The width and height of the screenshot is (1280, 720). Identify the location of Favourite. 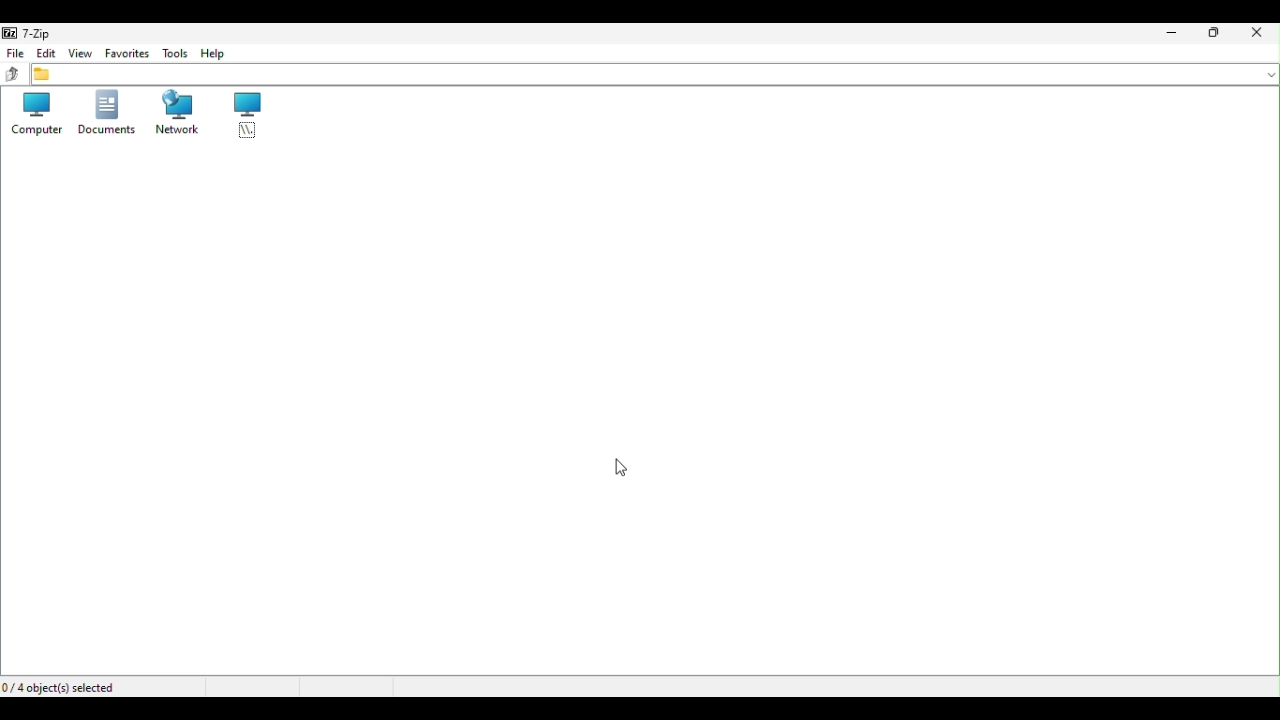
(127, 54).